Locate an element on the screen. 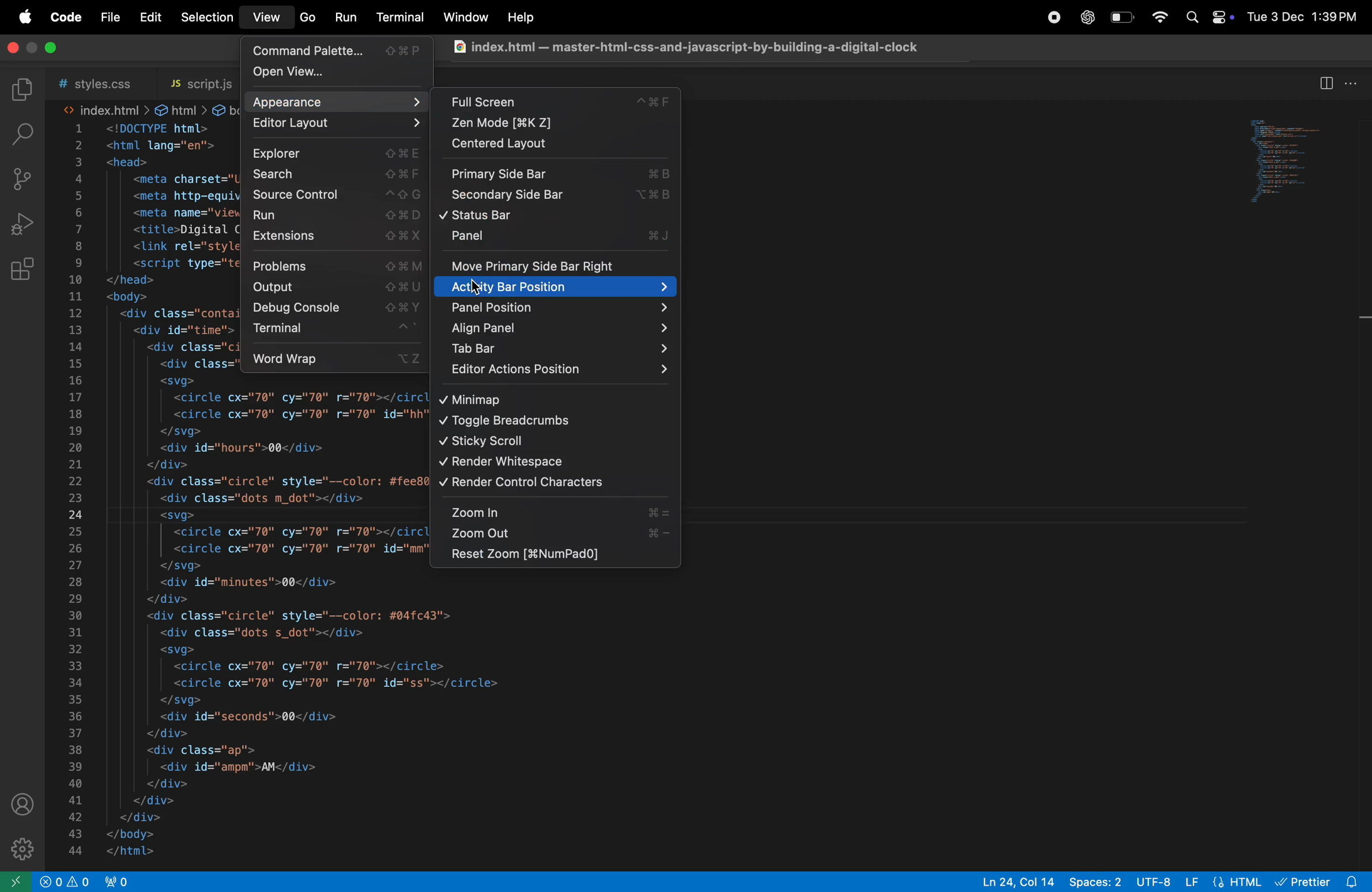 The image size is (1372, 892). index.html is located at coordinates (104, 109).